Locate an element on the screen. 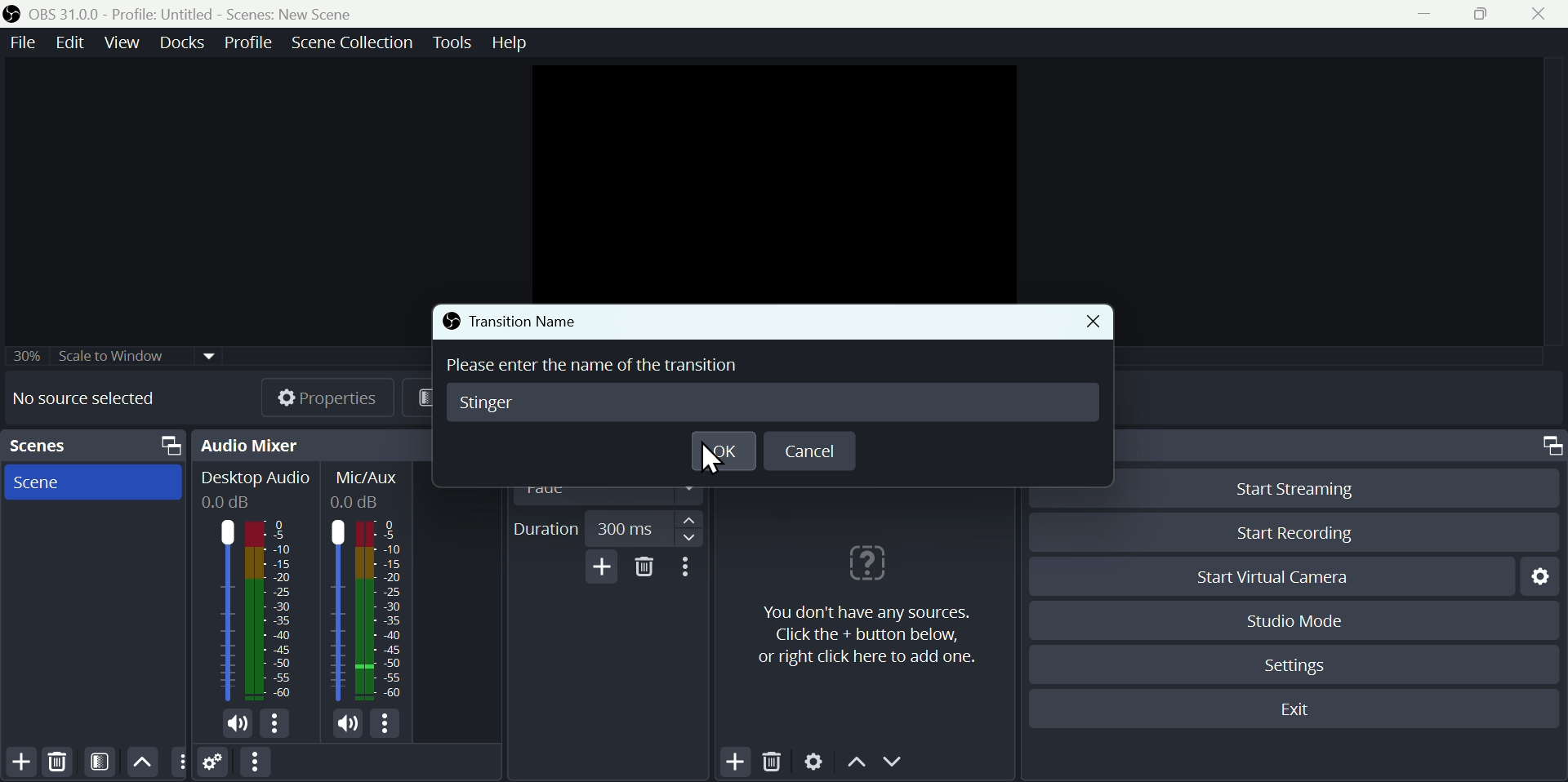   is located at coordinates (510, 44).